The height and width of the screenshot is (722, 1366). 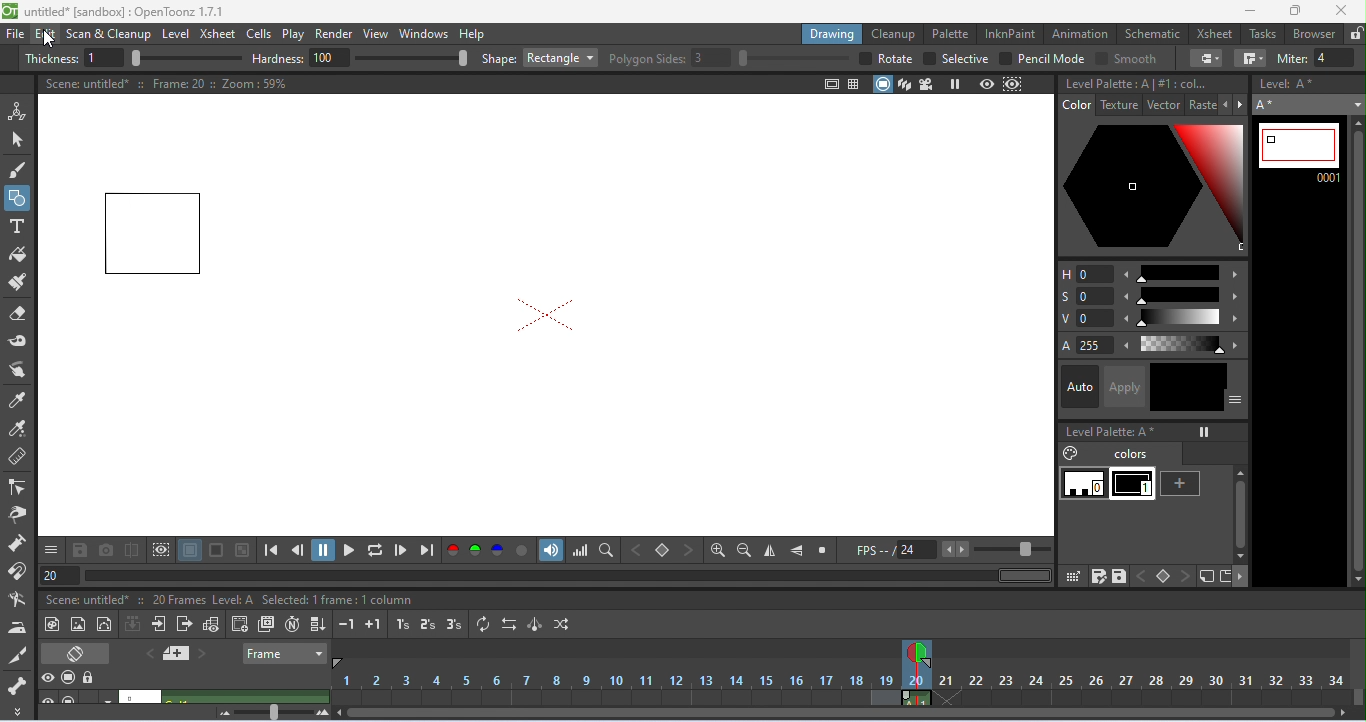 What do you see at coordinates (1355, 31) in the screenshot?
I see `lock rooms tab` at bounding box center [1355, 31].